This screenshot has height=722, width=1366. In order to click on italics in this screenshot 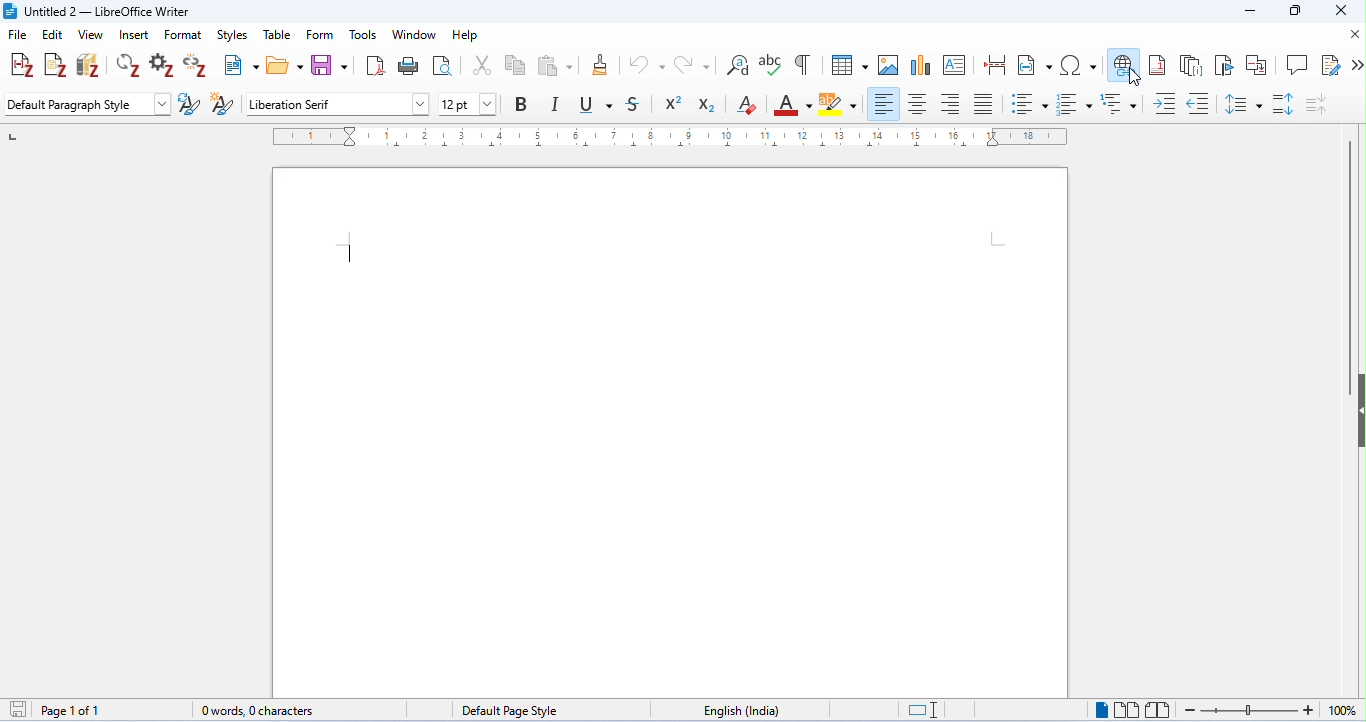, I will do `click(557, 104)`.